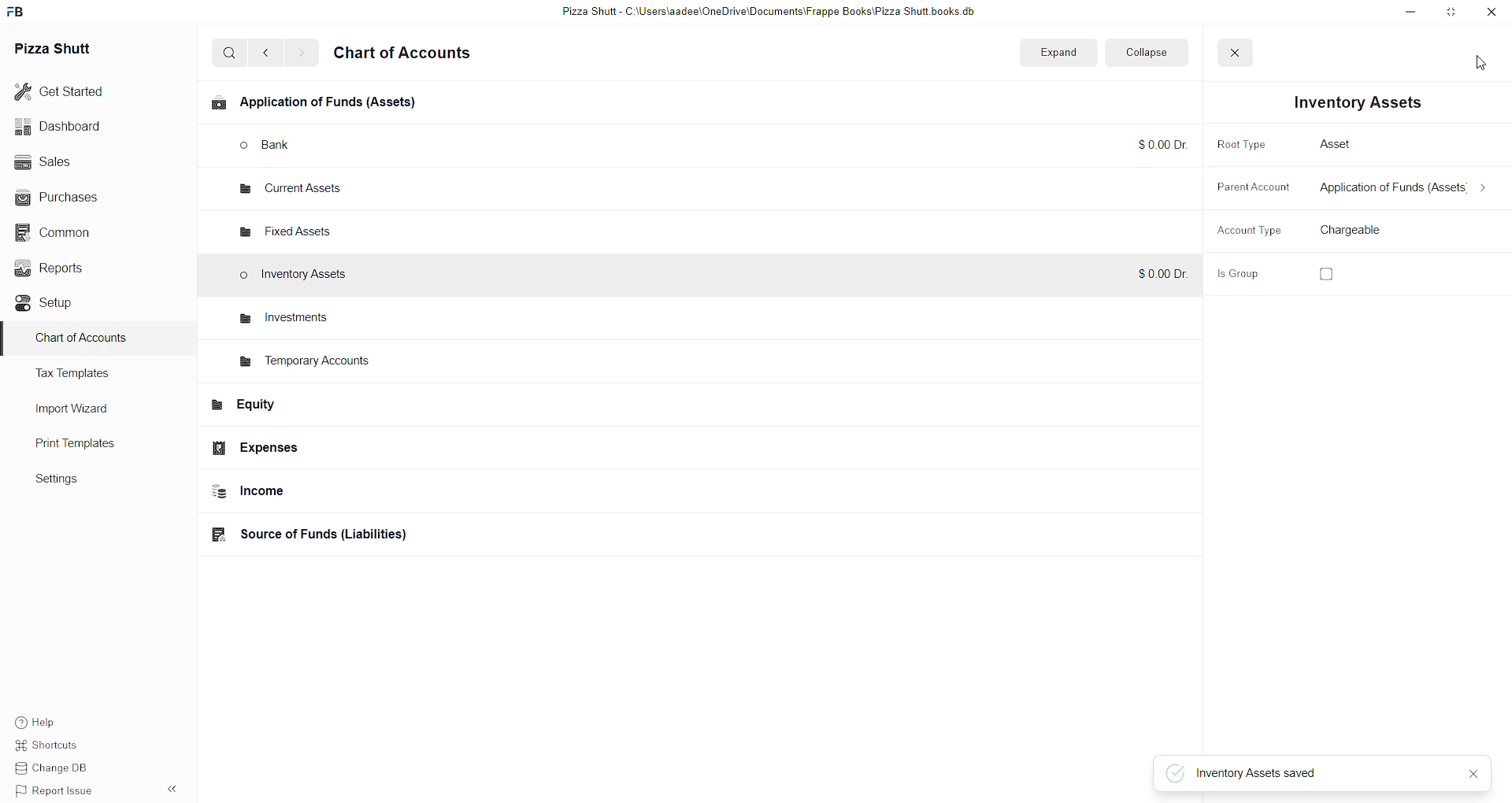 The image size is (1512, 803). I want to click on inventory Assets Saved , so click(1256, 777).